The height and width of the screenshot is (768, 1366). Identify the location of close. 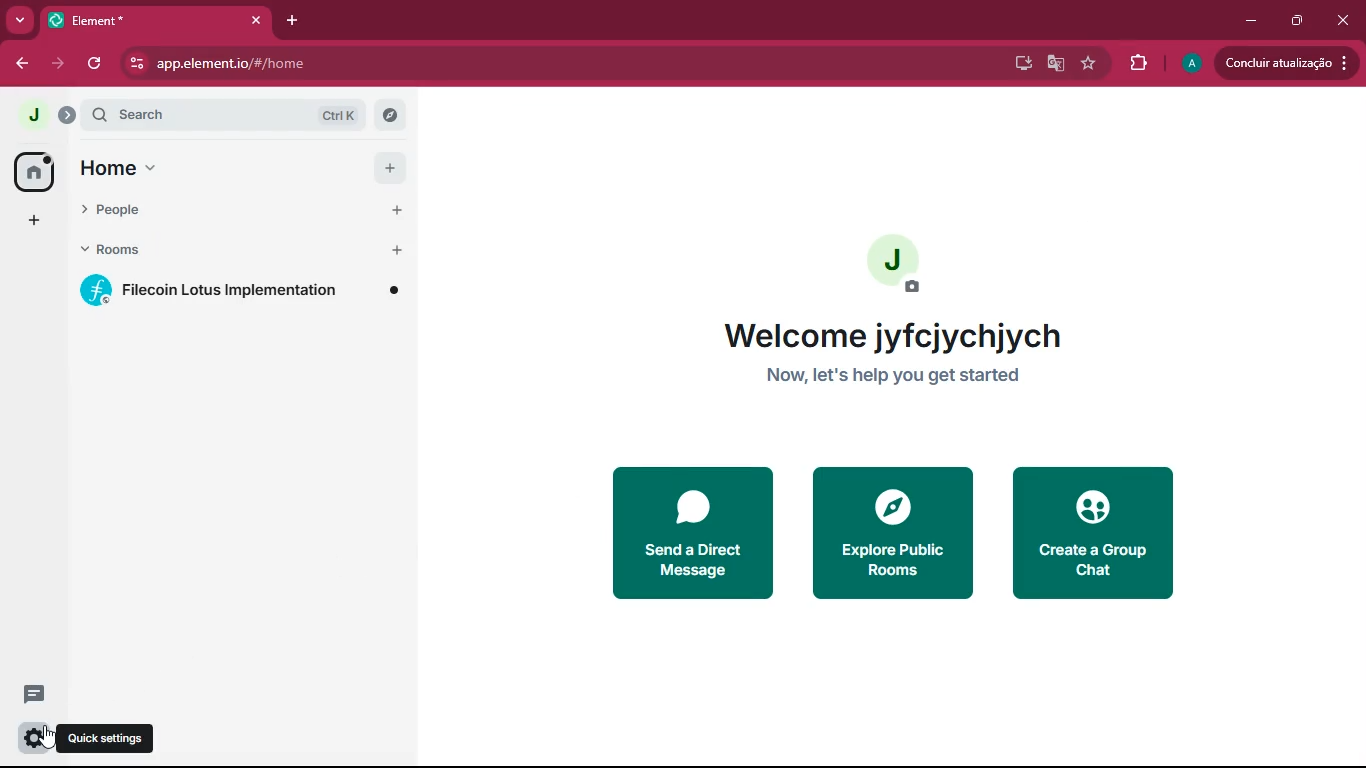
(1343, 21).